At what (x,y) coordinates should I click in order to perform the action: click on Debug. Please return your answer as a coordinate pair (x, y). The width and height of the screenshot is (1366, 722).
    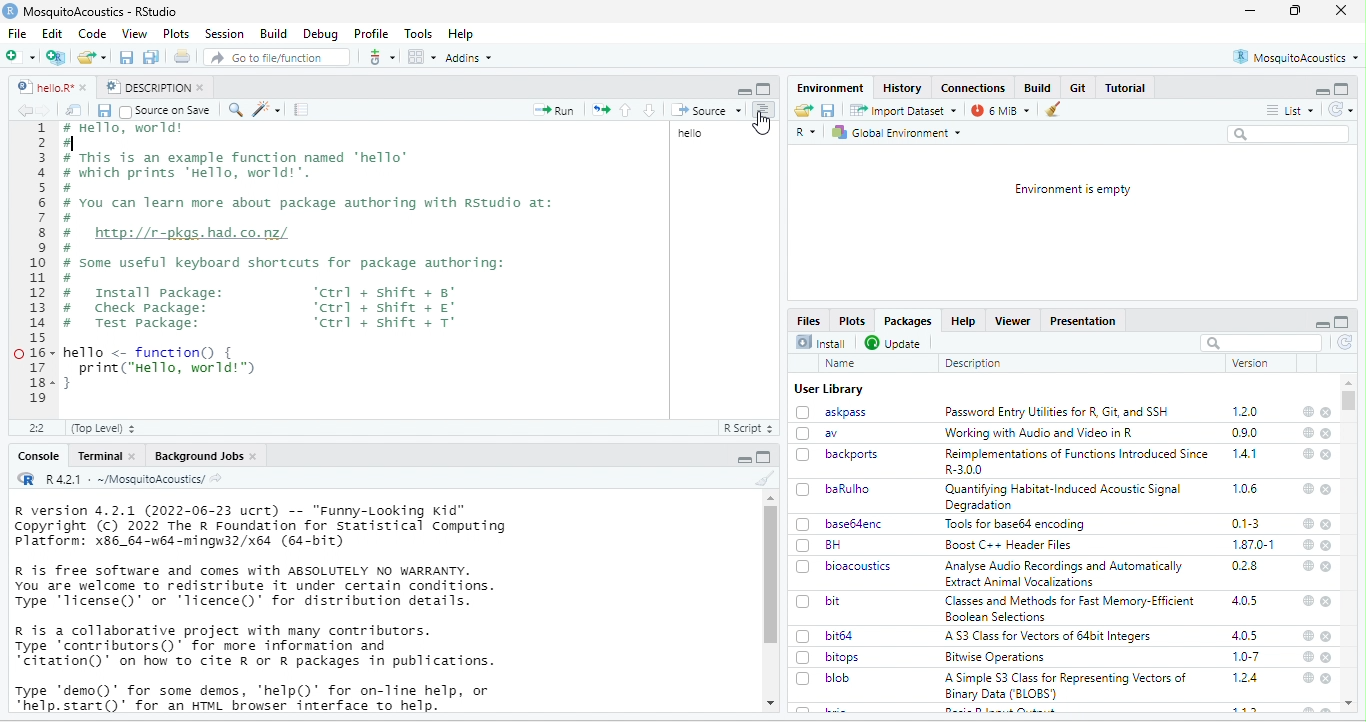
    Looking at the image, I should click on (321, 35).